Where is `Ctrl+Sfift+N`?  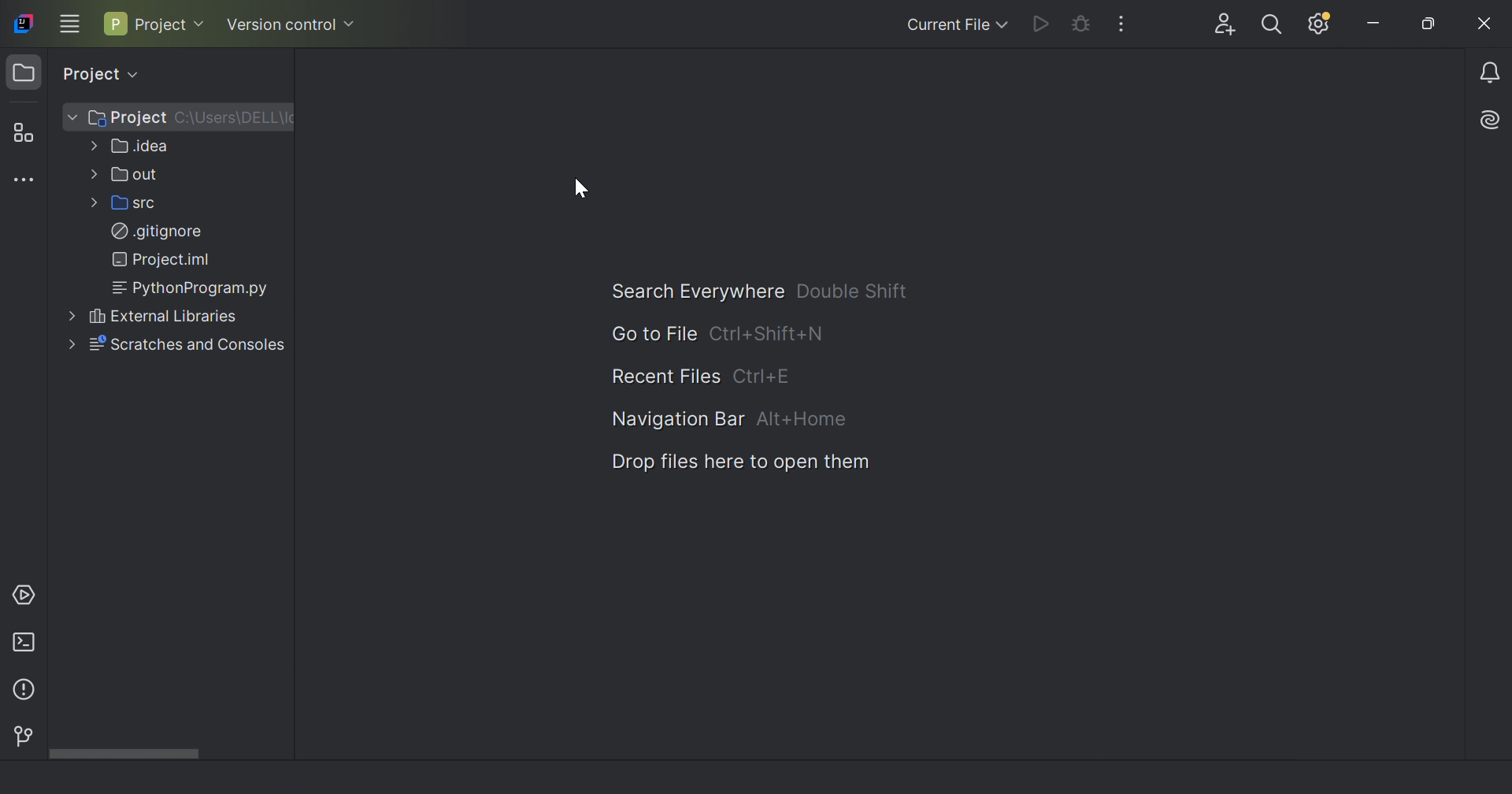 Ctrl+Sfift+N is located at coordinates (764, 333).